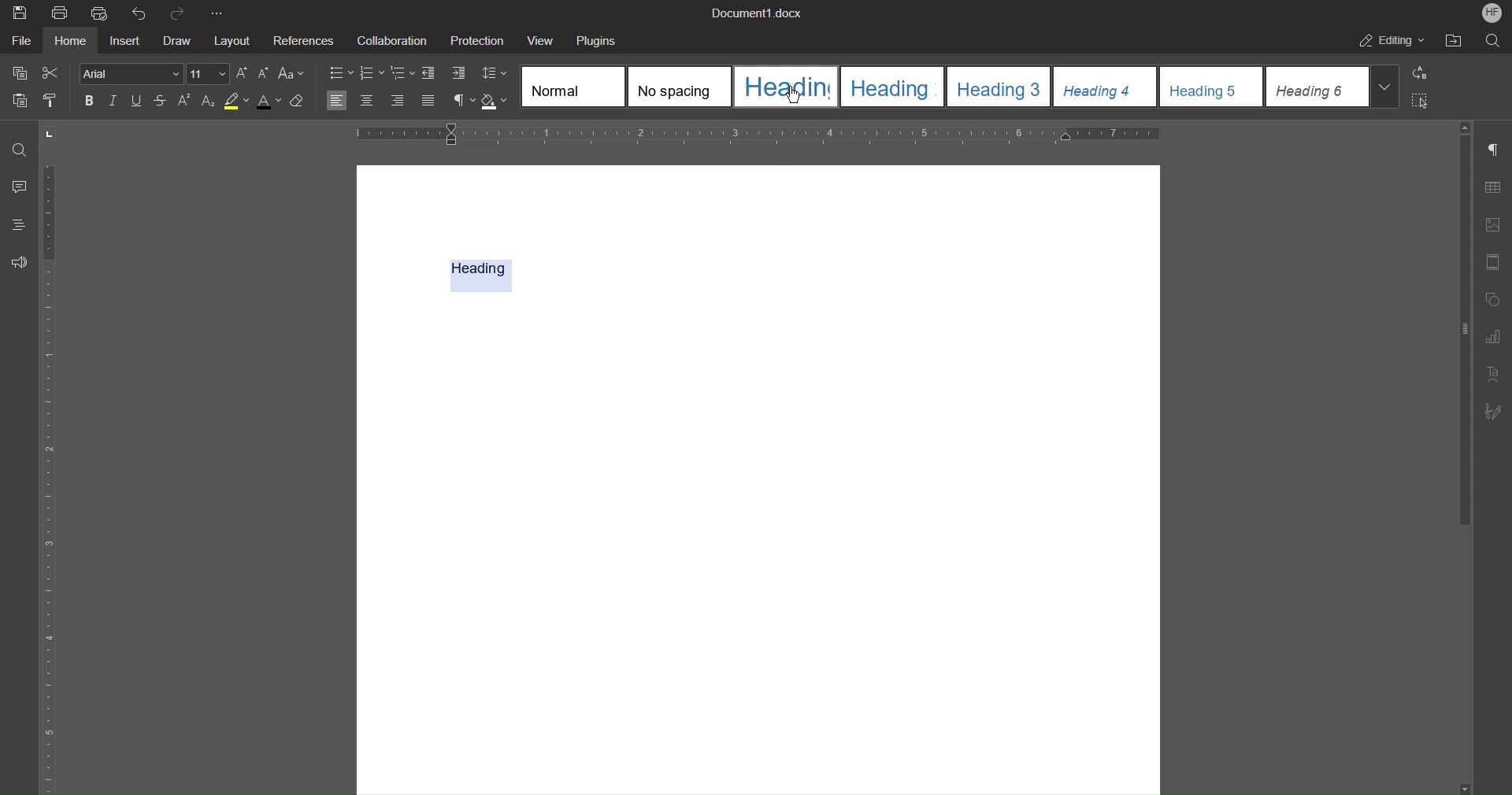 The height and width of the screenshot is (795, 1512). What do you see at coordinates (1211, 87) in the screenshot?
I see `Heading 5` at bounding box center [1211, 87].